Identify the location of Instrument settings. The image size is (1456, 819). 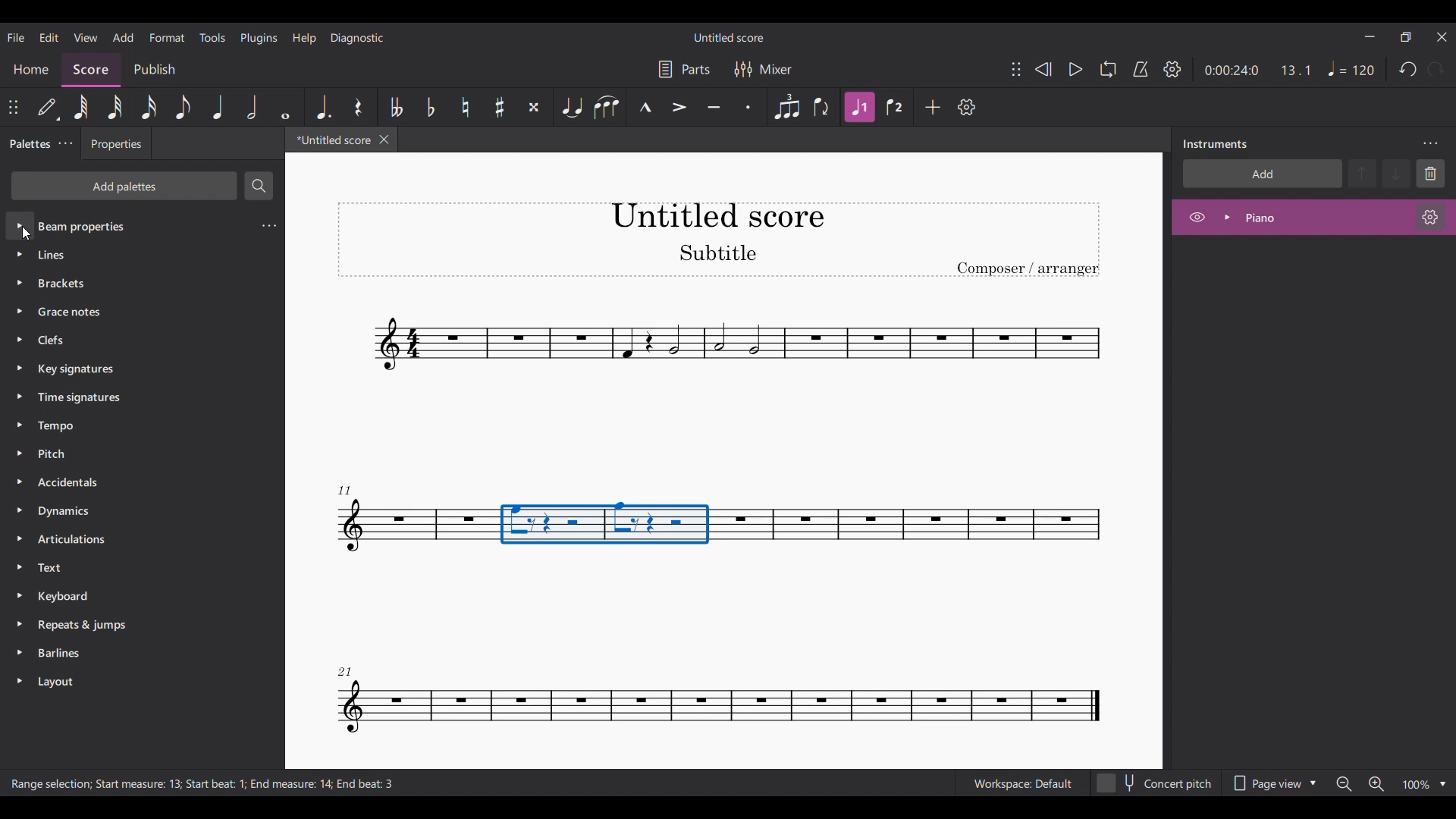
(1431, 217).